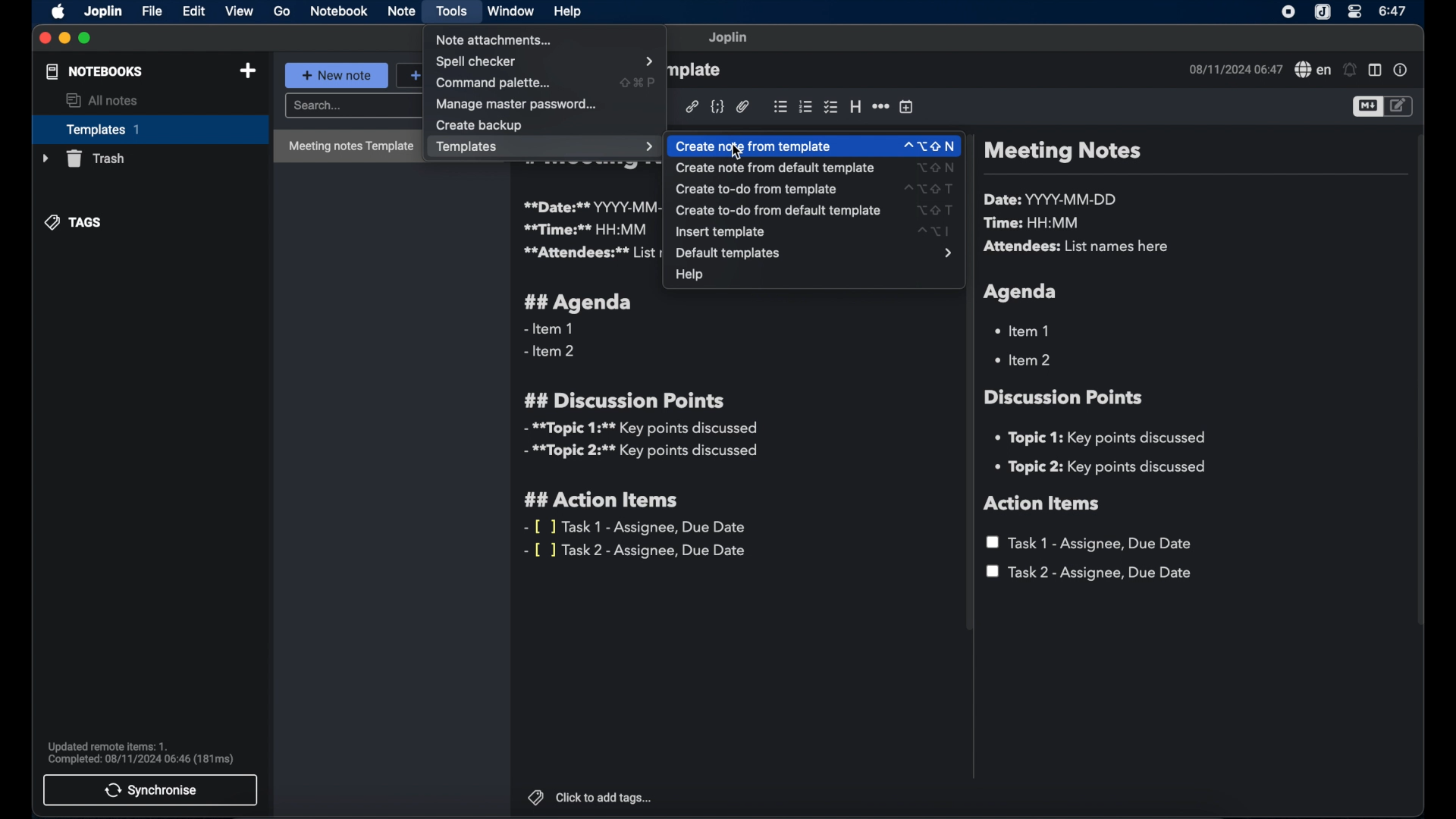 The height and width of the screenshot is (819, 1456). What do you see at coordinates (566, 10) in the screenshot?
I see `help` at bounding box center [566, 10].